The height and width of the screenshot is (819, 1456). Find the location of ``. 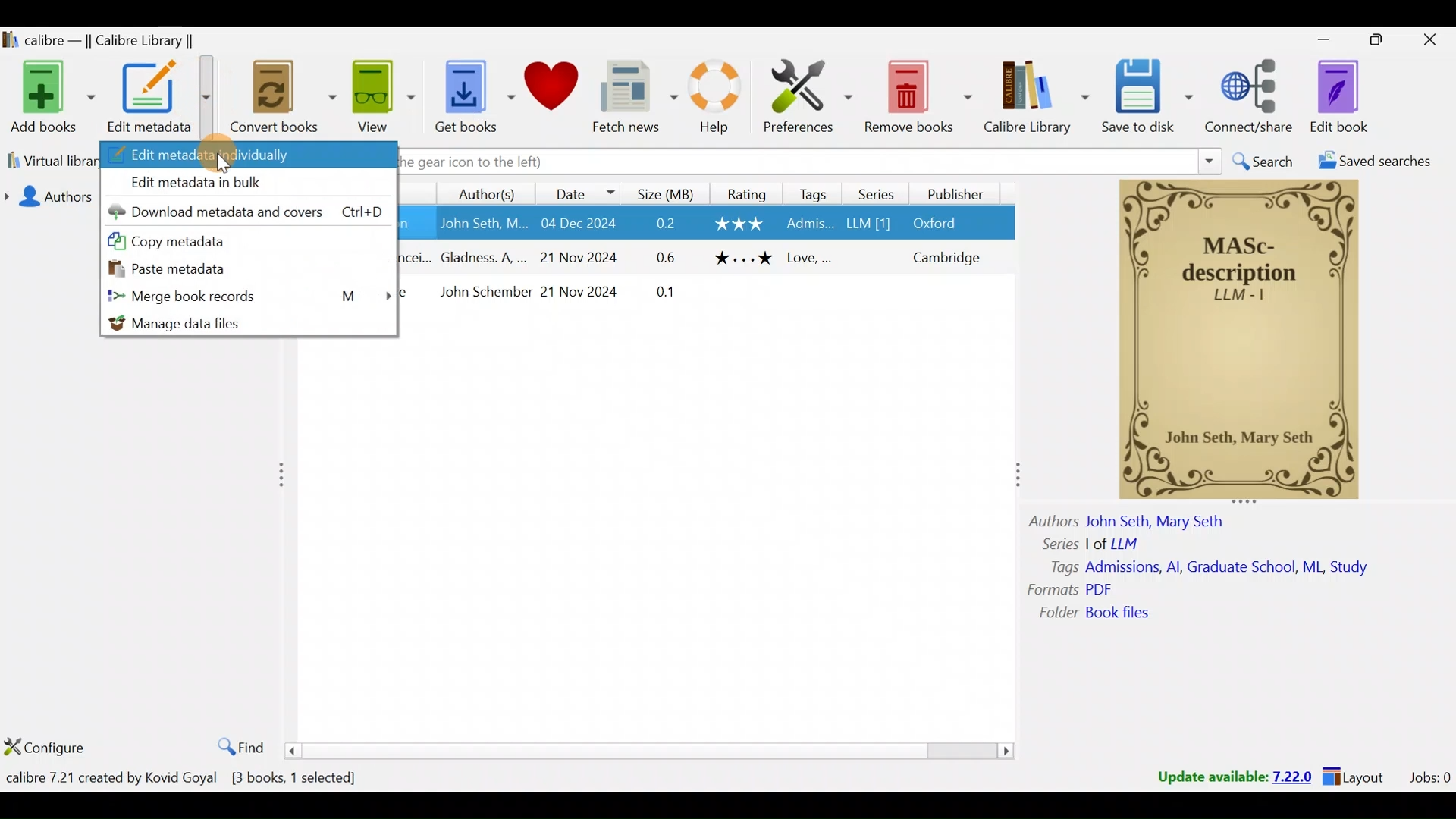

 is located at coordinates (587, 224).